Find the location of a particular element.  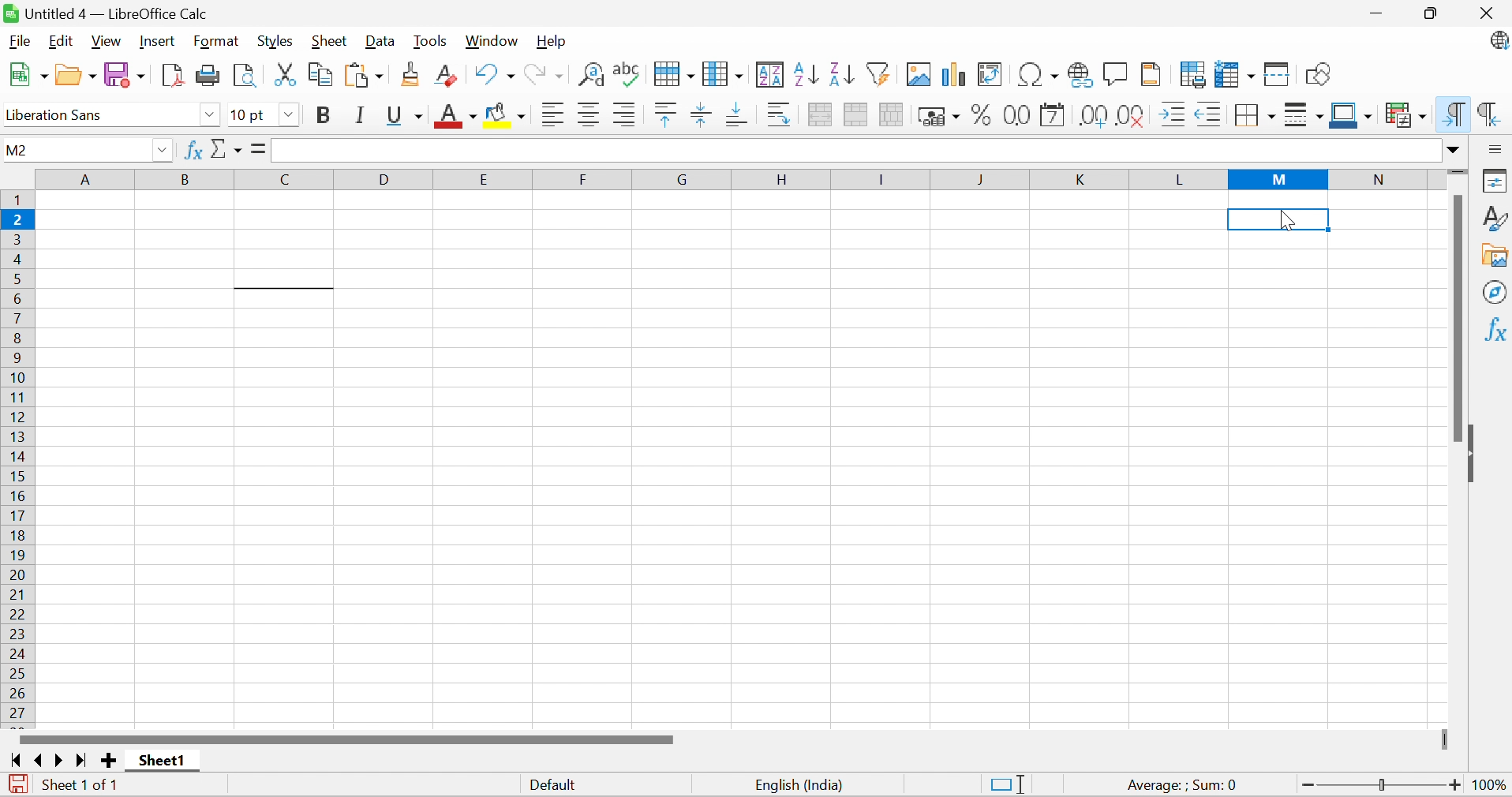

Insert hyperlink is located at coordinates (1077, 75).